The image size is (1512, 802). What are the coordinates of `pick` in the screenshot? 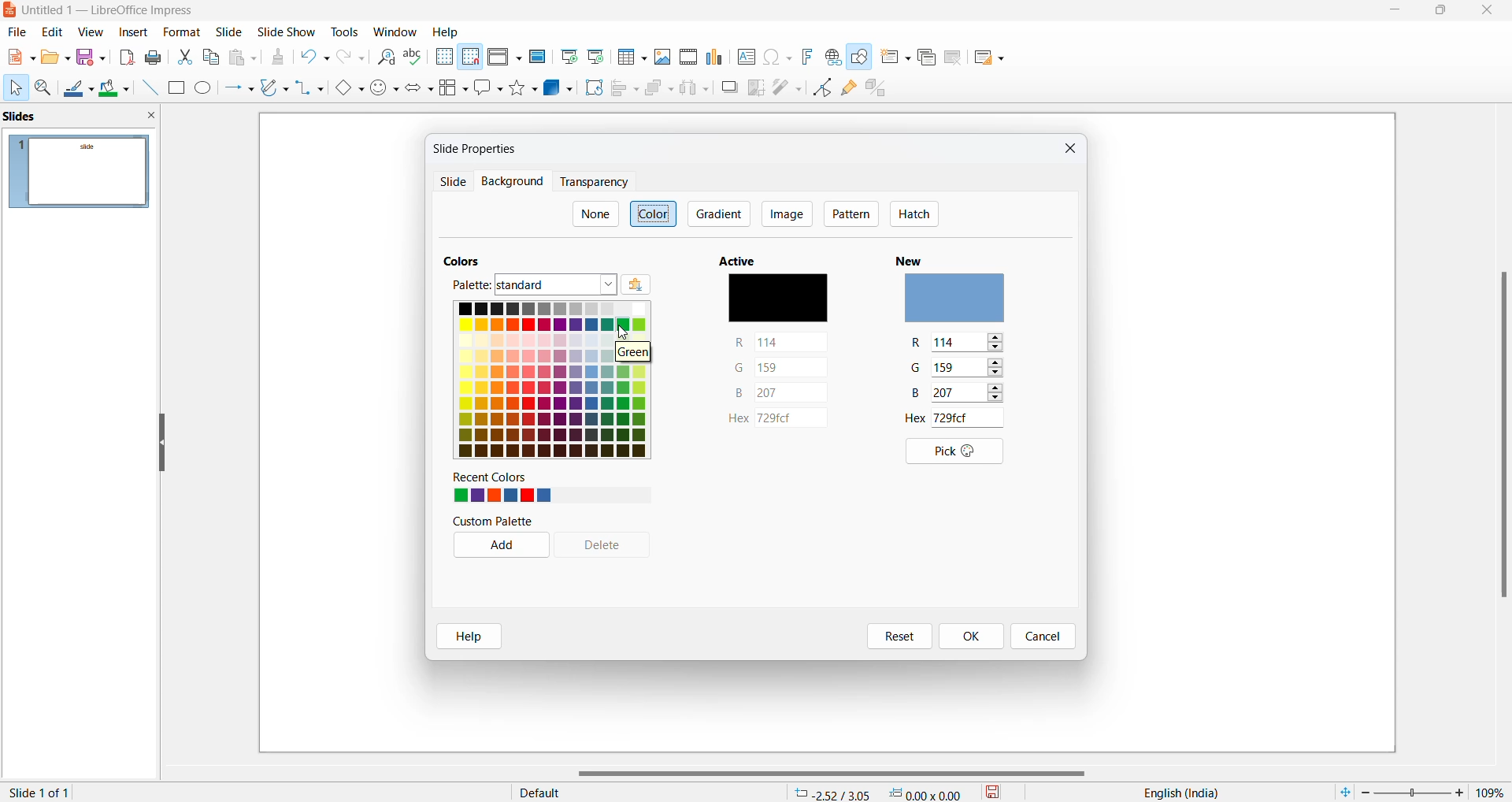 It's located at (949, 452).